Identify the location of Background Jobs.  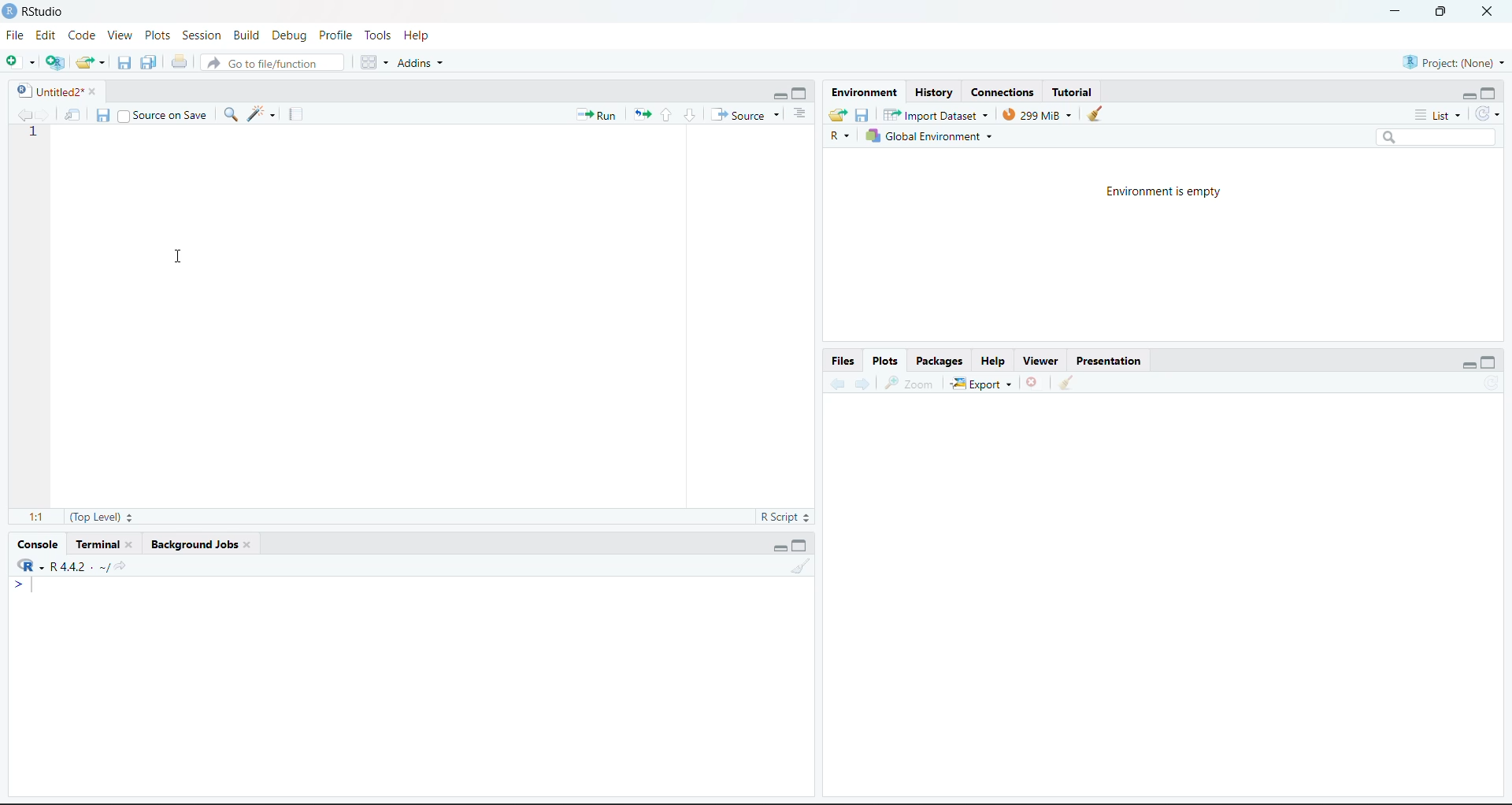
(195, 546).